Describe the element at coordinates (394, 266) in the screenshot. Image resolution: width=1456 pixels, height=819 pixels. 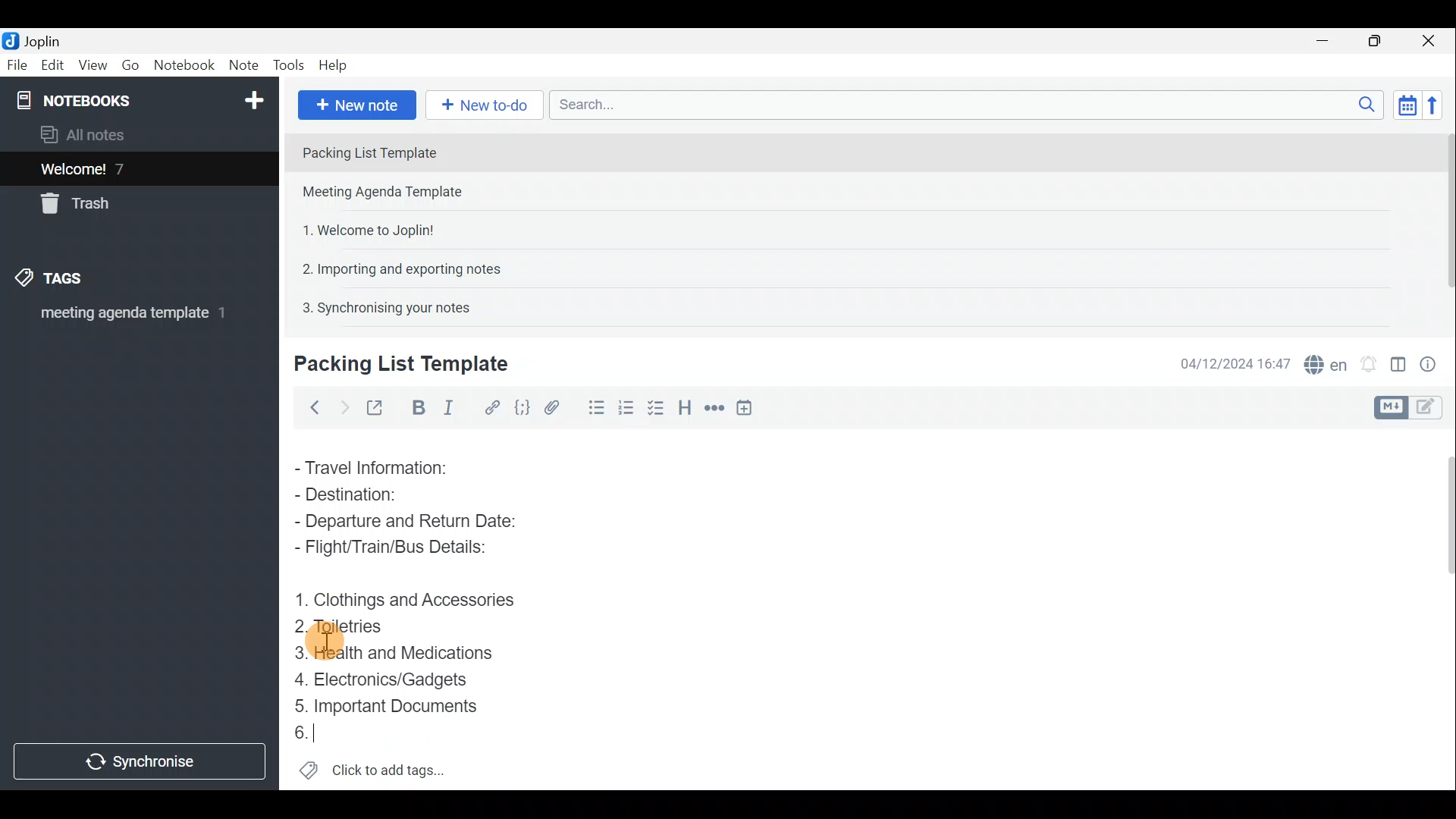
I see `Note 4` at that location.